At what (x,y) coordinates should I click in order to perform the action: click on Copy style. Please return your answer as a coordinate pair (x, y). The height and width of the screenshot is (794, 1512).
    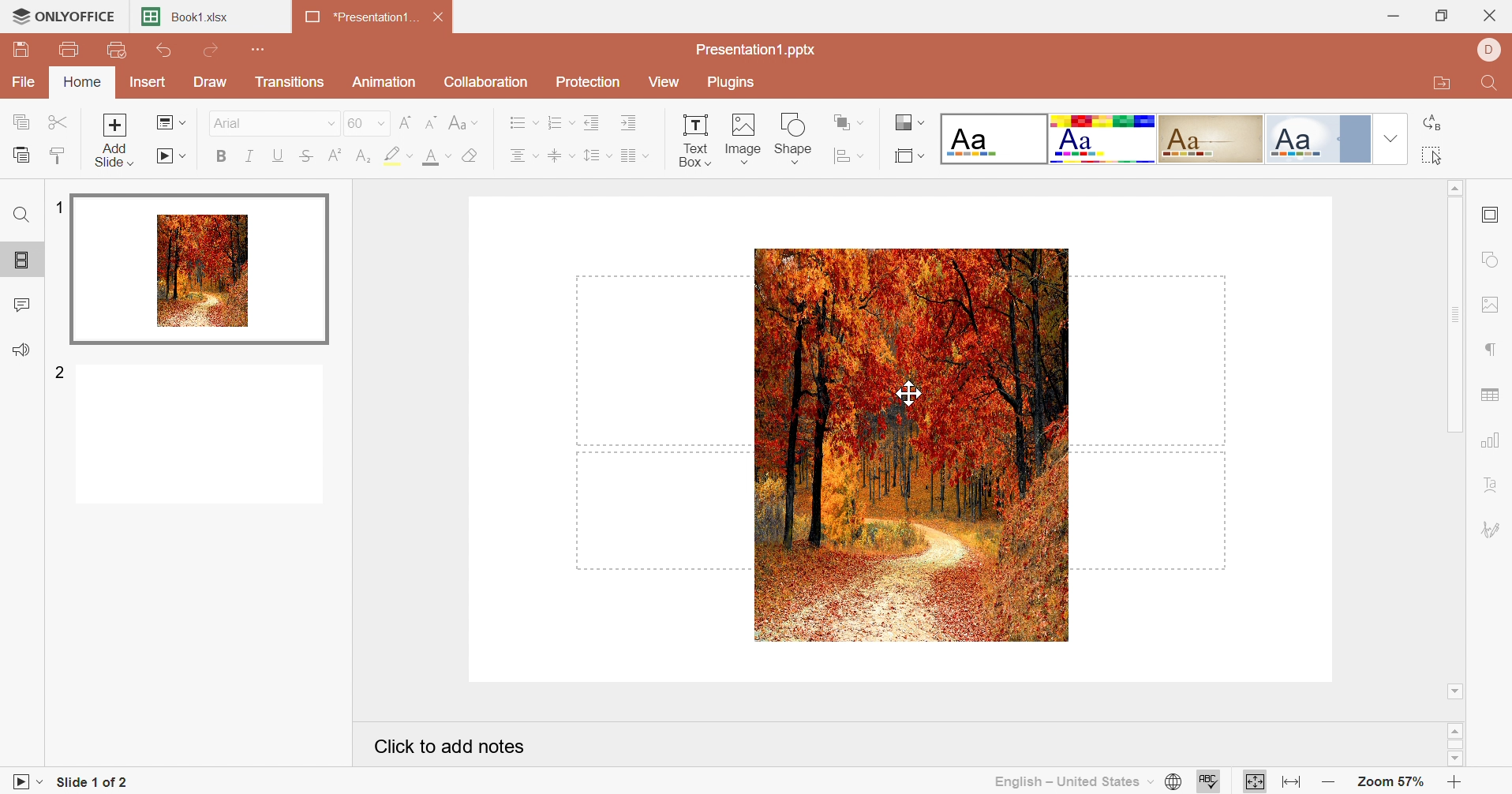
    Looking at the image, I should click on (61, 156).